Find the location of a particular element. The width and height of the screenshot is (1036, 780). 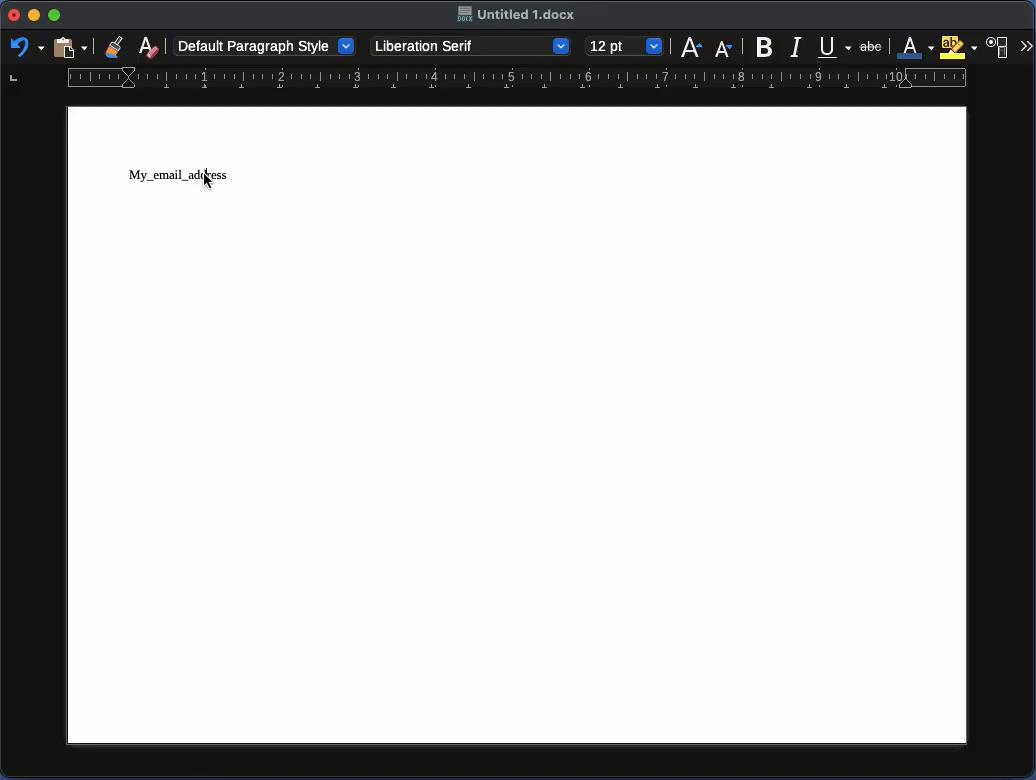

Clone formatting is located at coordinates (115, 46).